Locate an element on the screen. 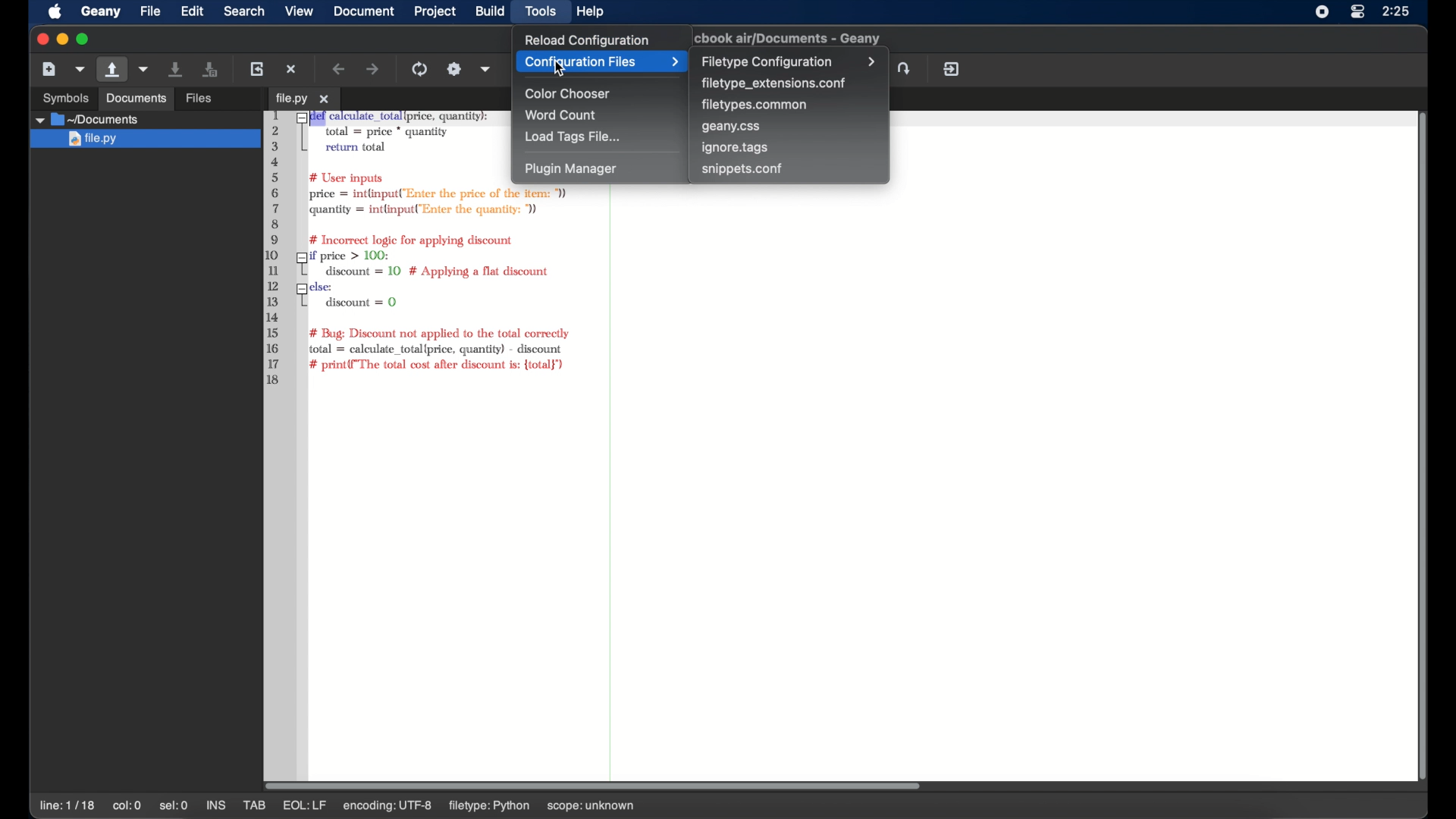 Image resolution: width=1456 pixels, height=819 pixels. tab is located at coordinates (256, 805).